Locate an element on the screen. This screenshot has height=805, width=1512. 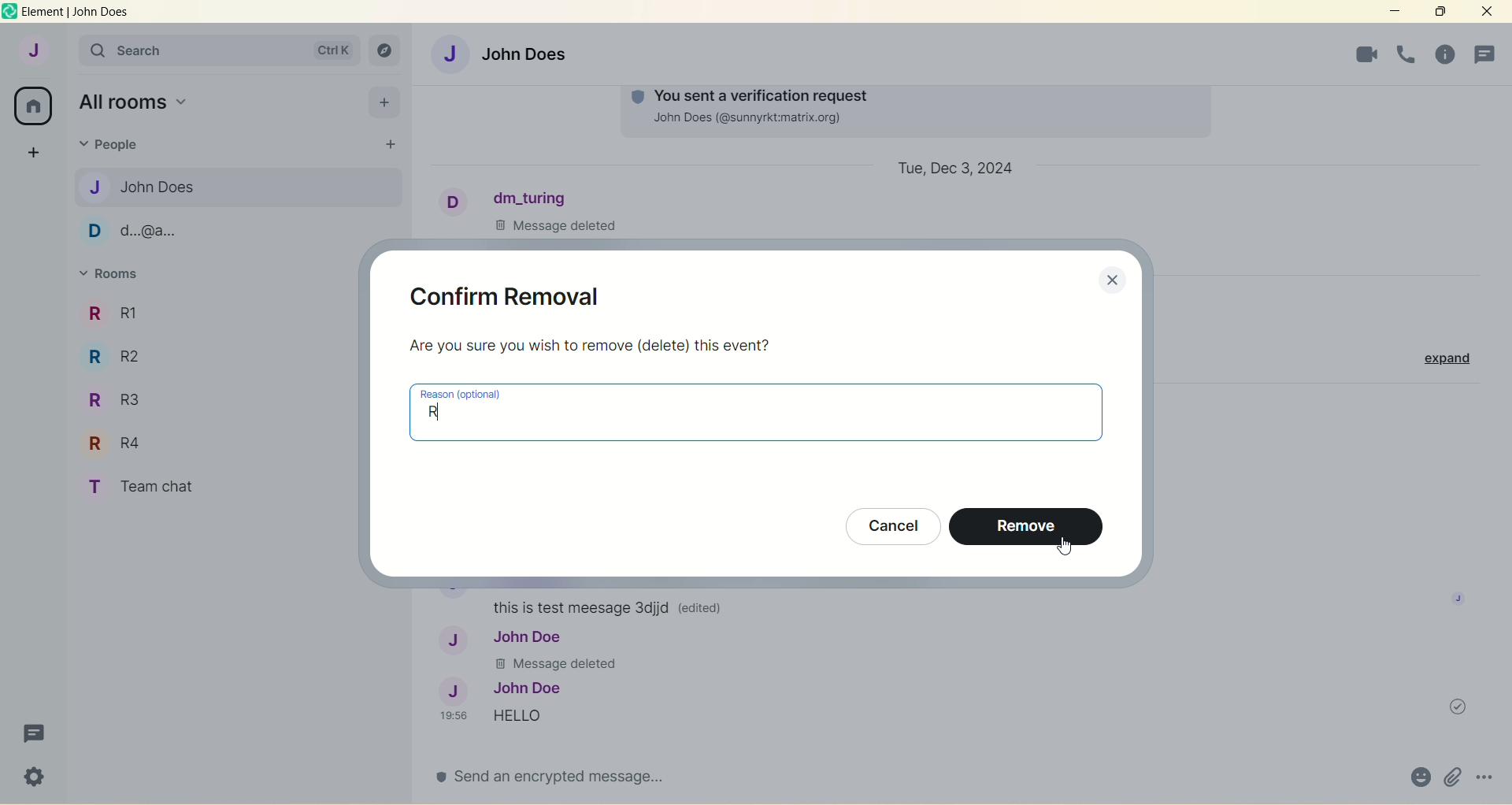
explore rooms is located at coordinates (386, 50).